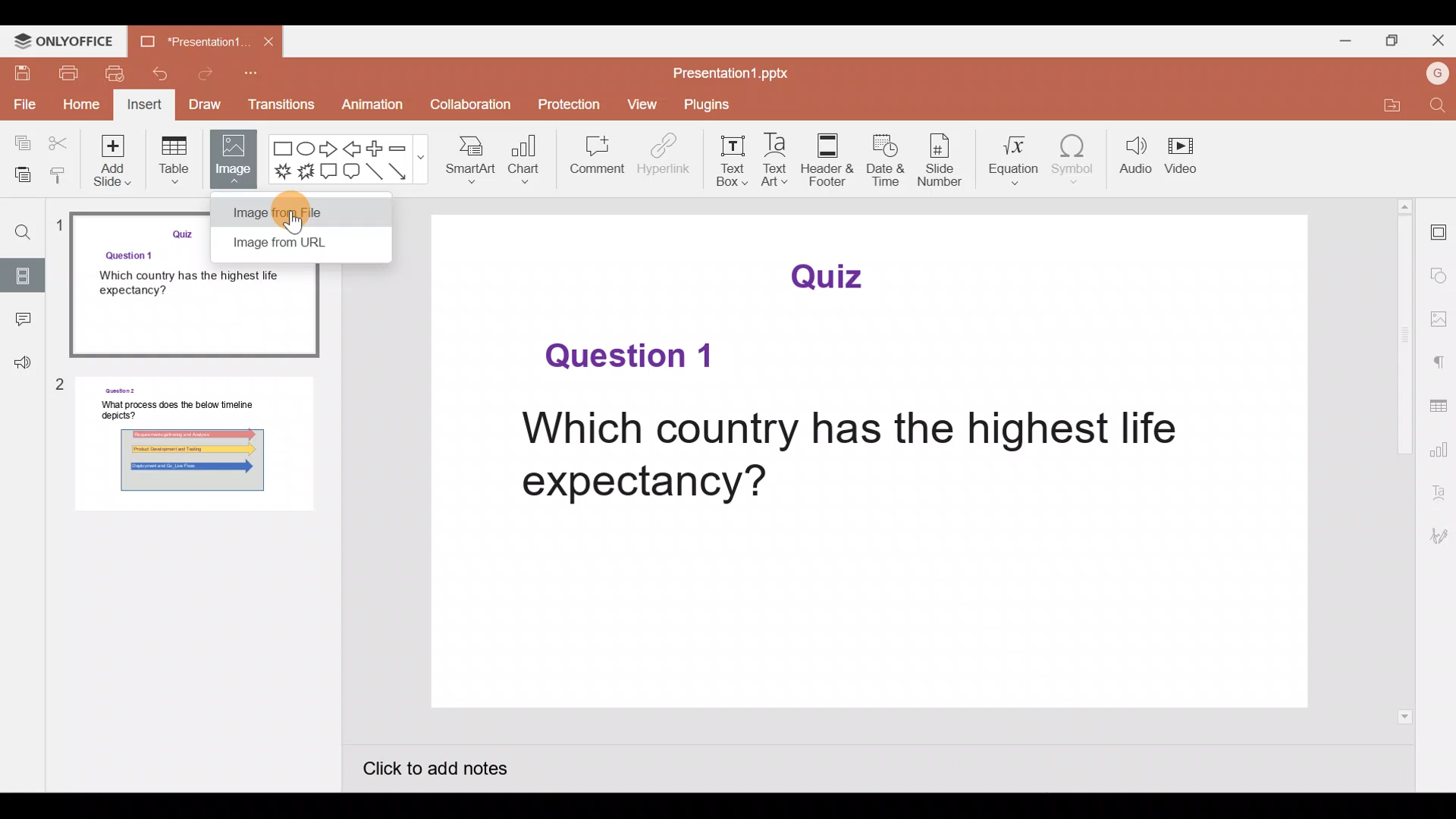 Image resolution: width=1456 pixels, height=819 pixels. What do you see at coordinates (833, 275) in the screenshot?
I see `Quiz` at bounding box center [833, 275].